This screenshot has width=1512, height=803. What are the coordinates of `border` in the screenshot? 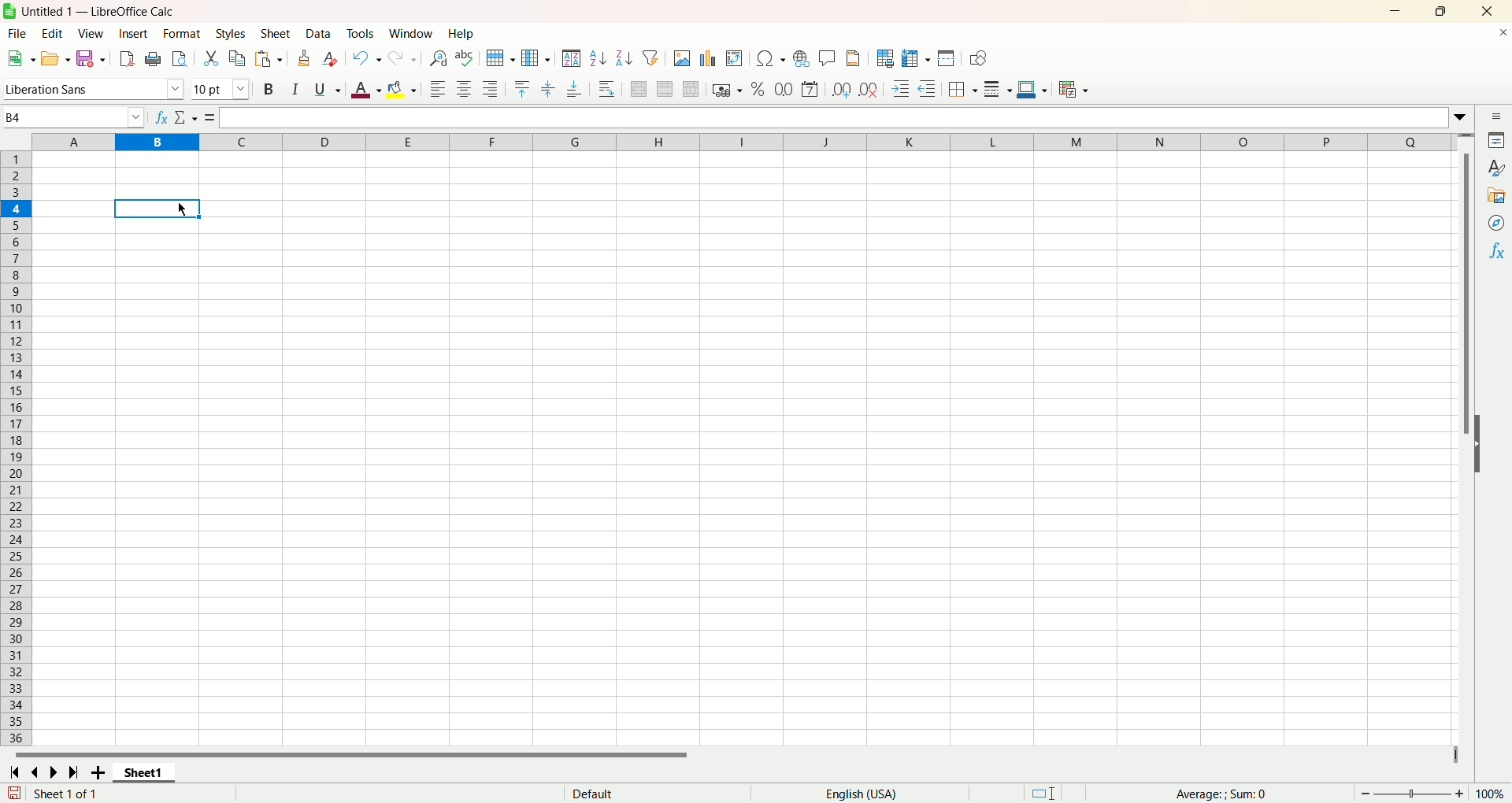 It's located at (963, 89).